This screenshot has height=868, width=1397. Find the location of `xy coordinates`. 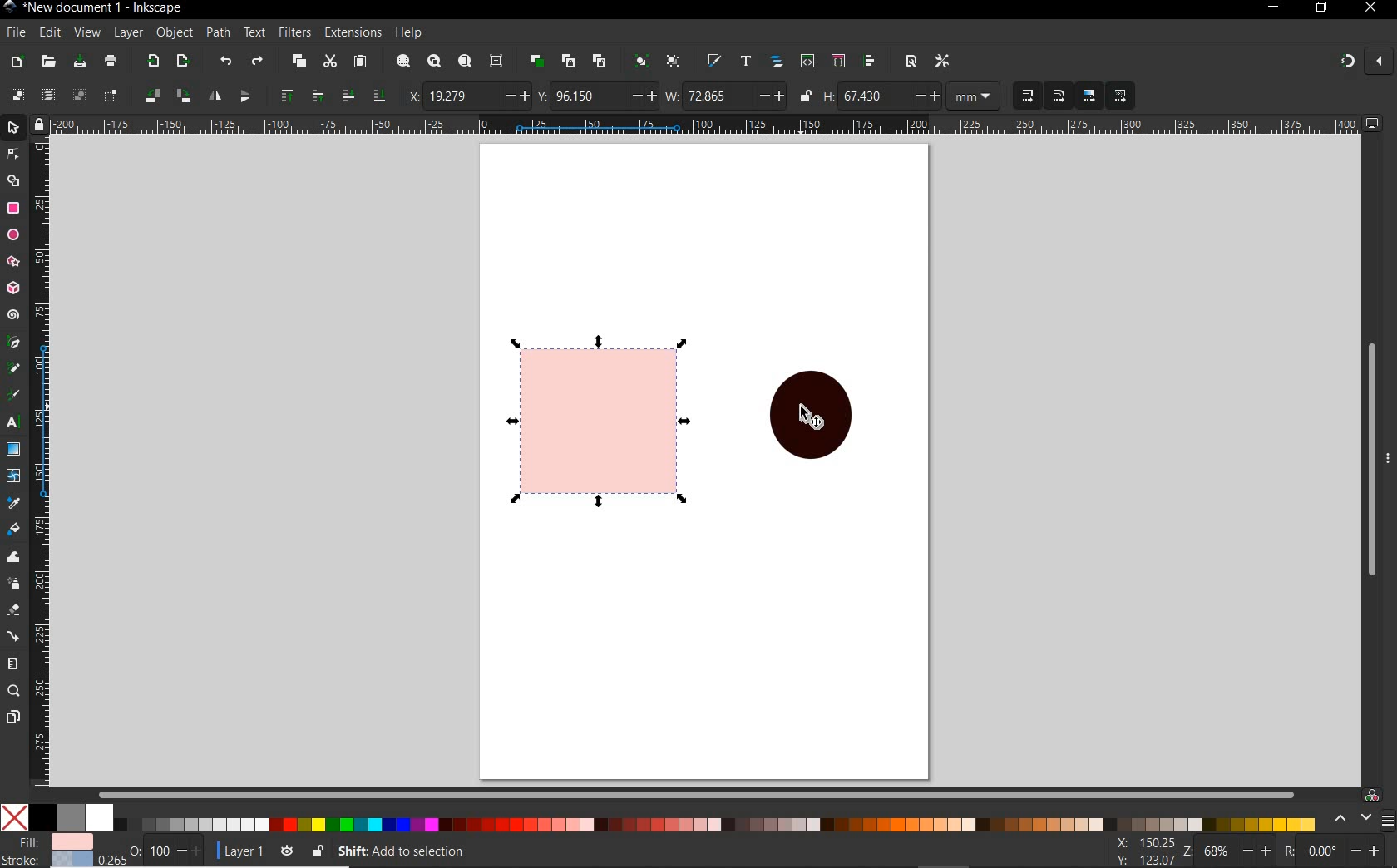

xy coordinates is located at coordinates (1150, 852).